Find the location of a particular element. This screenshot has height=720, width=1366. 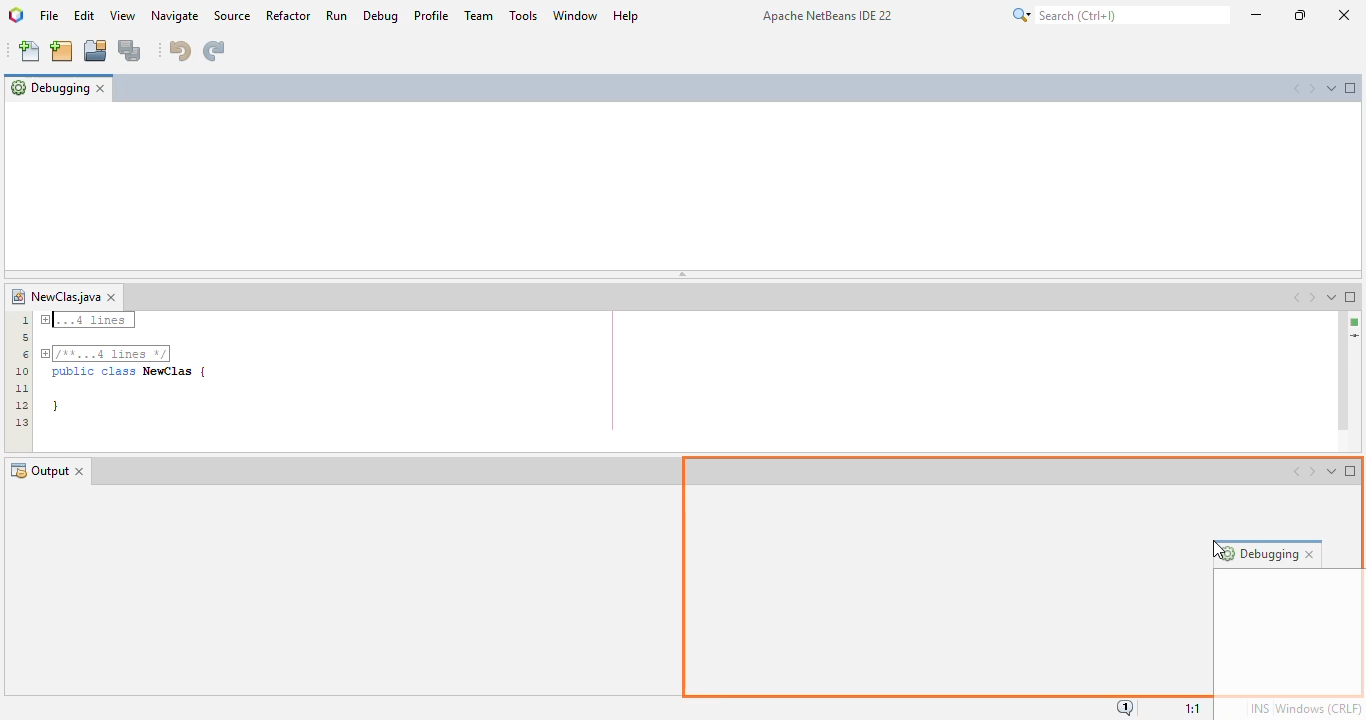

scroll documents left is located at coordinates (1297, 297).